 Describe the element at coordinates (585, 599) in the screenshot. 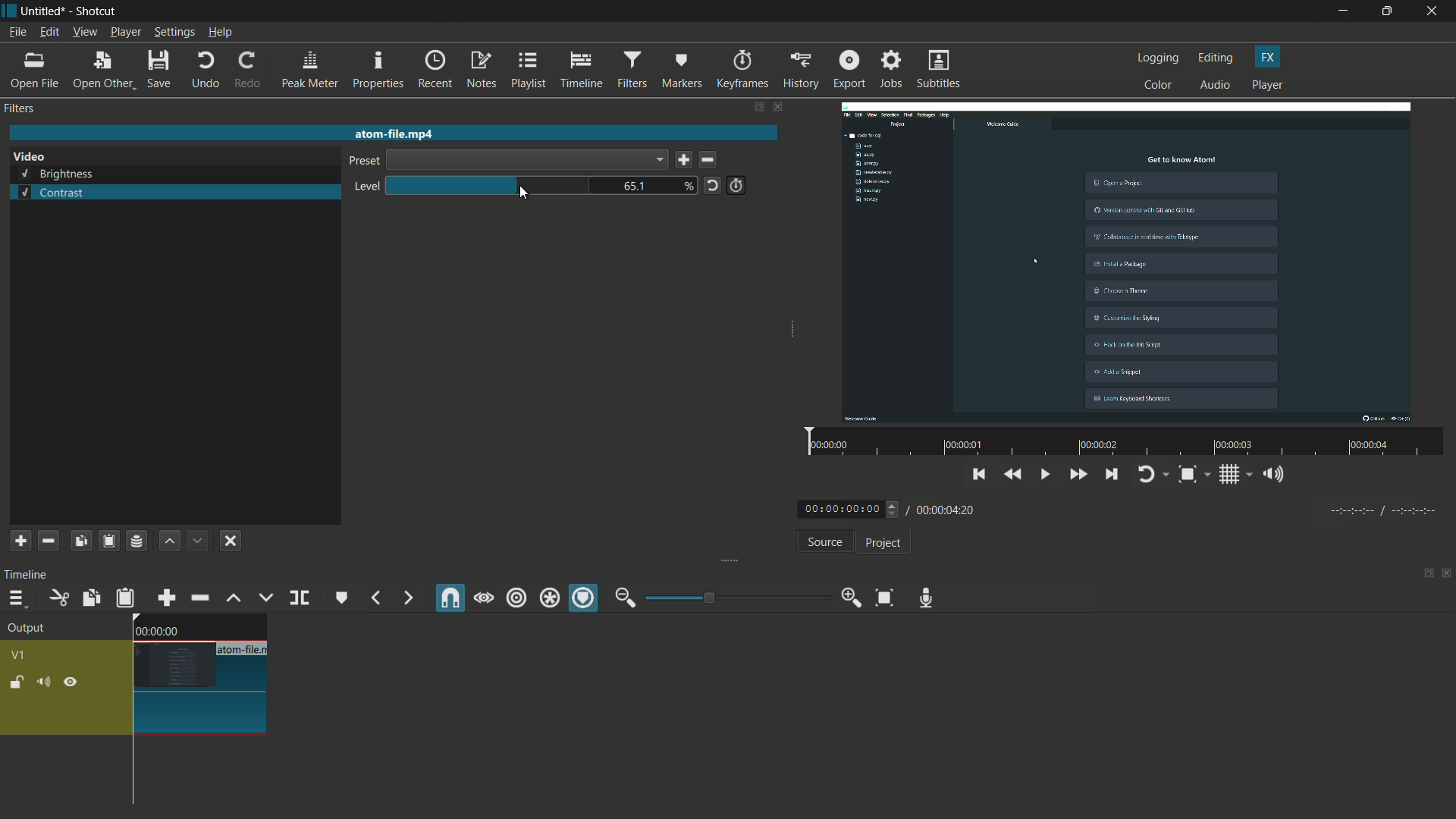

I see `ripple markers` at that location.